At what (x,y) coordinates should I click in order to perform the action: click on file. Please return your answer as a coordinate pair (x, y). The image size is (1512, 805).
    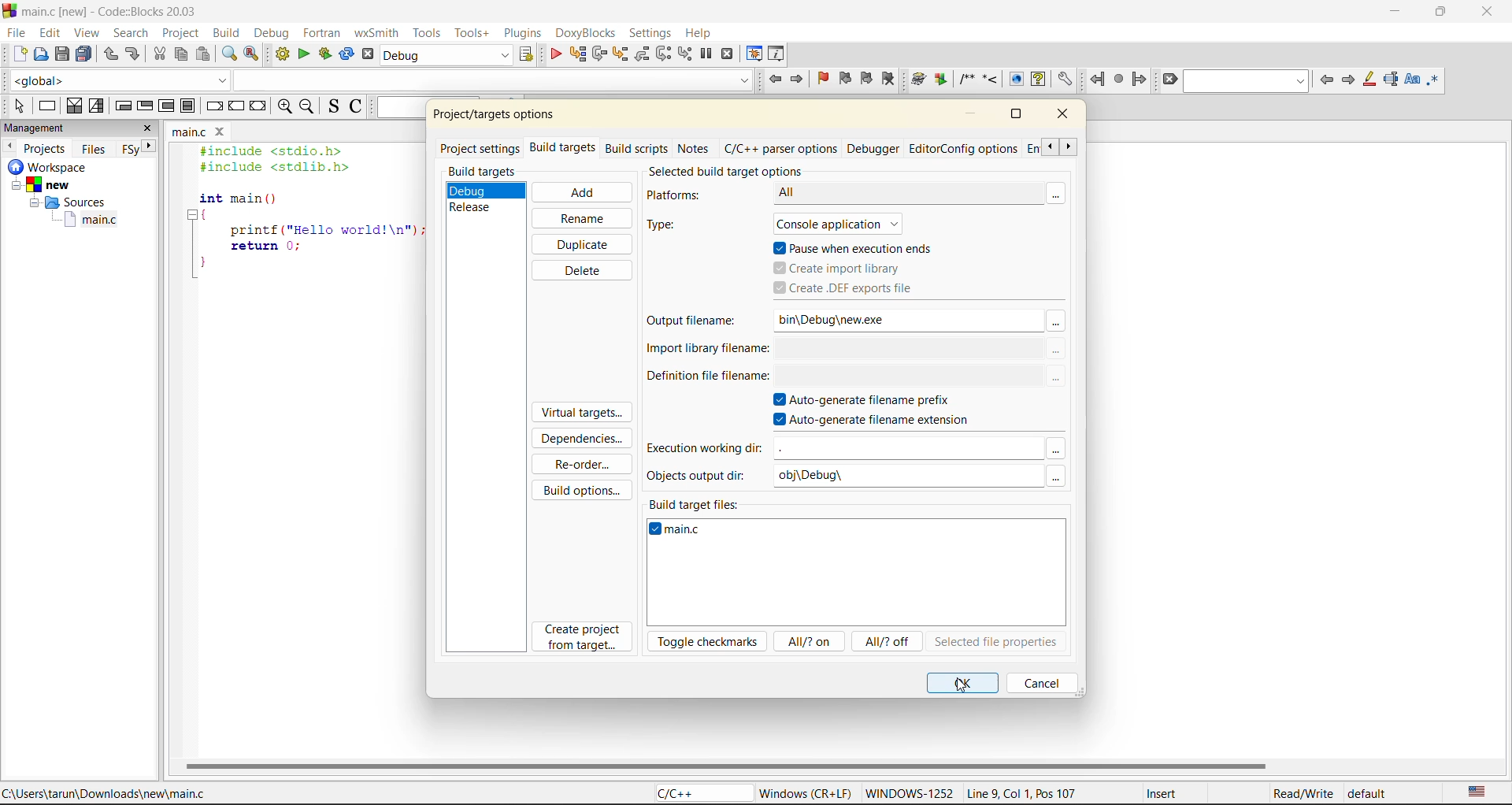
    Looking at the image, I should click on (17, 35).